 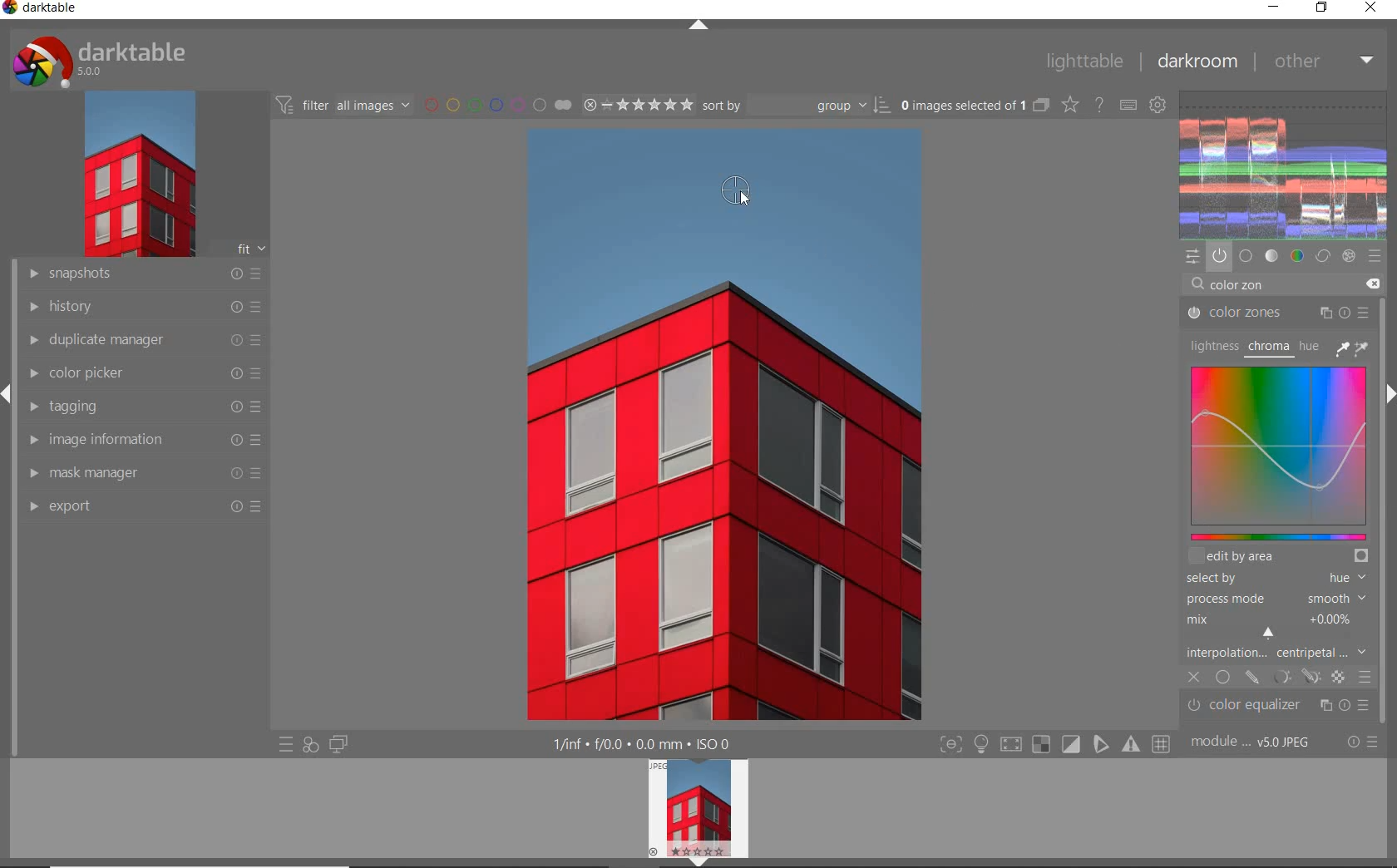 I want to click on MIX, so click(x=1274, y=623).